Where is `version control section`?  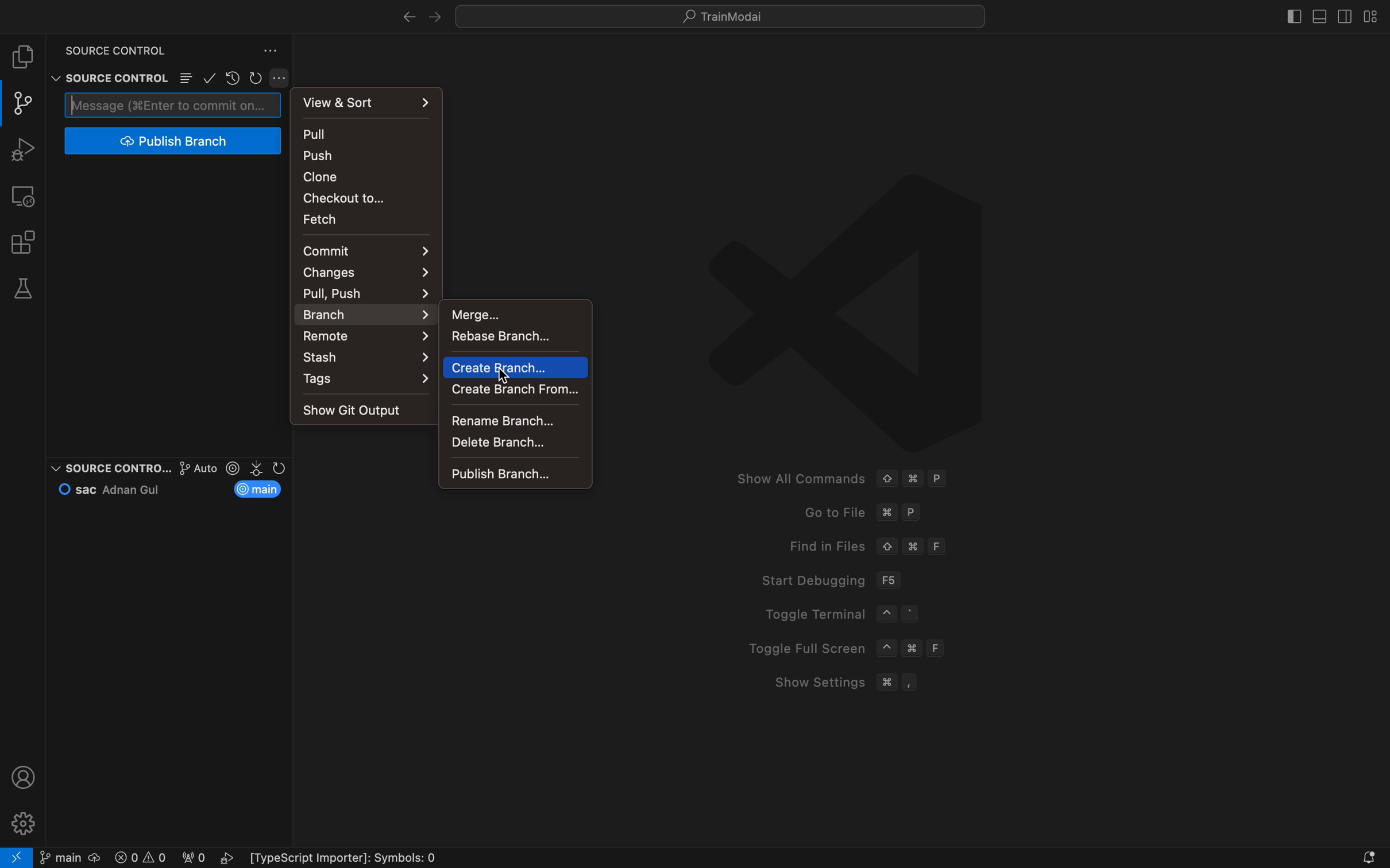 version control section is located at coordinates (258, 468).